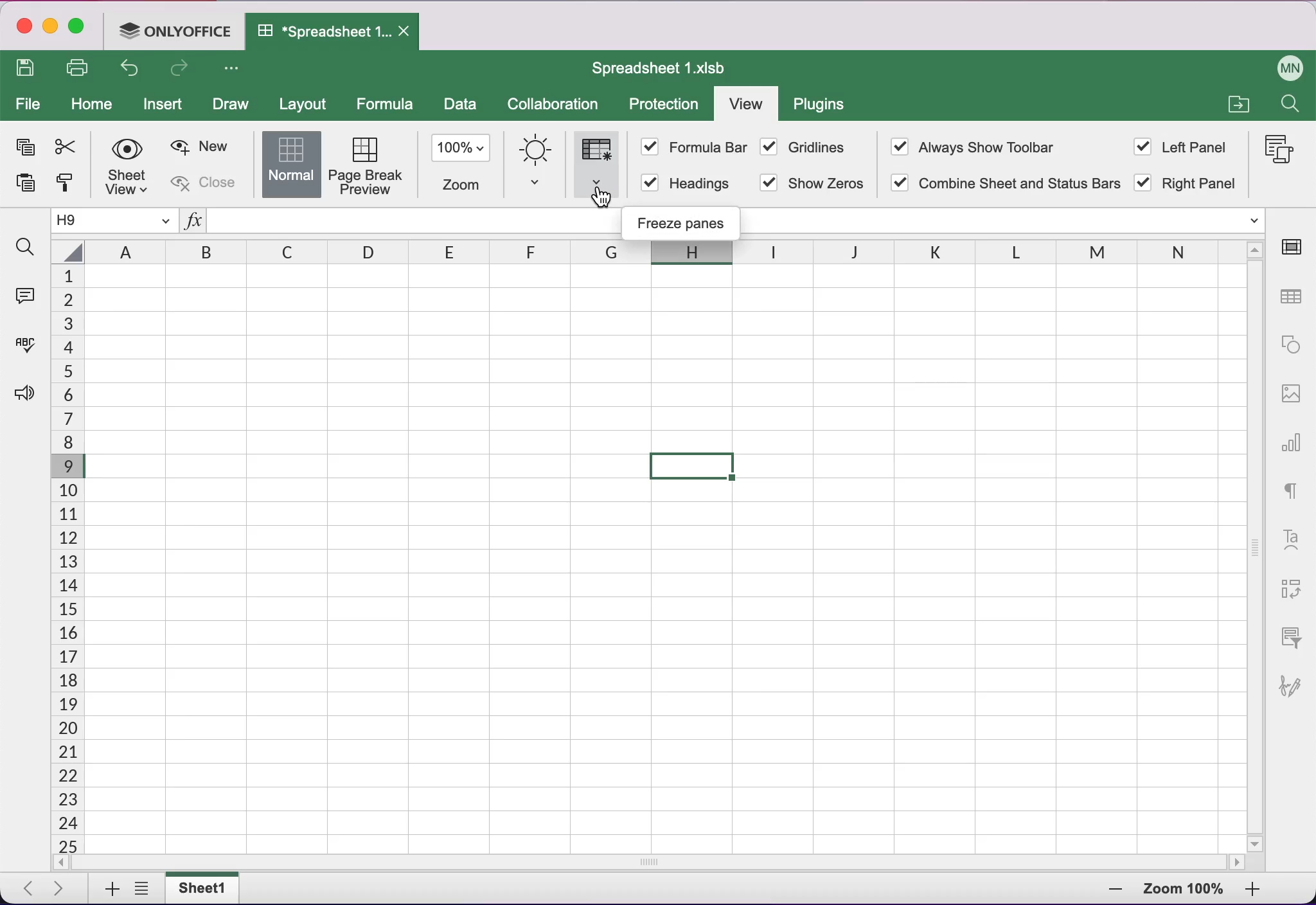  Describe the element at coordinates (28, 183) in the screenshot. I see `paste` at that location.